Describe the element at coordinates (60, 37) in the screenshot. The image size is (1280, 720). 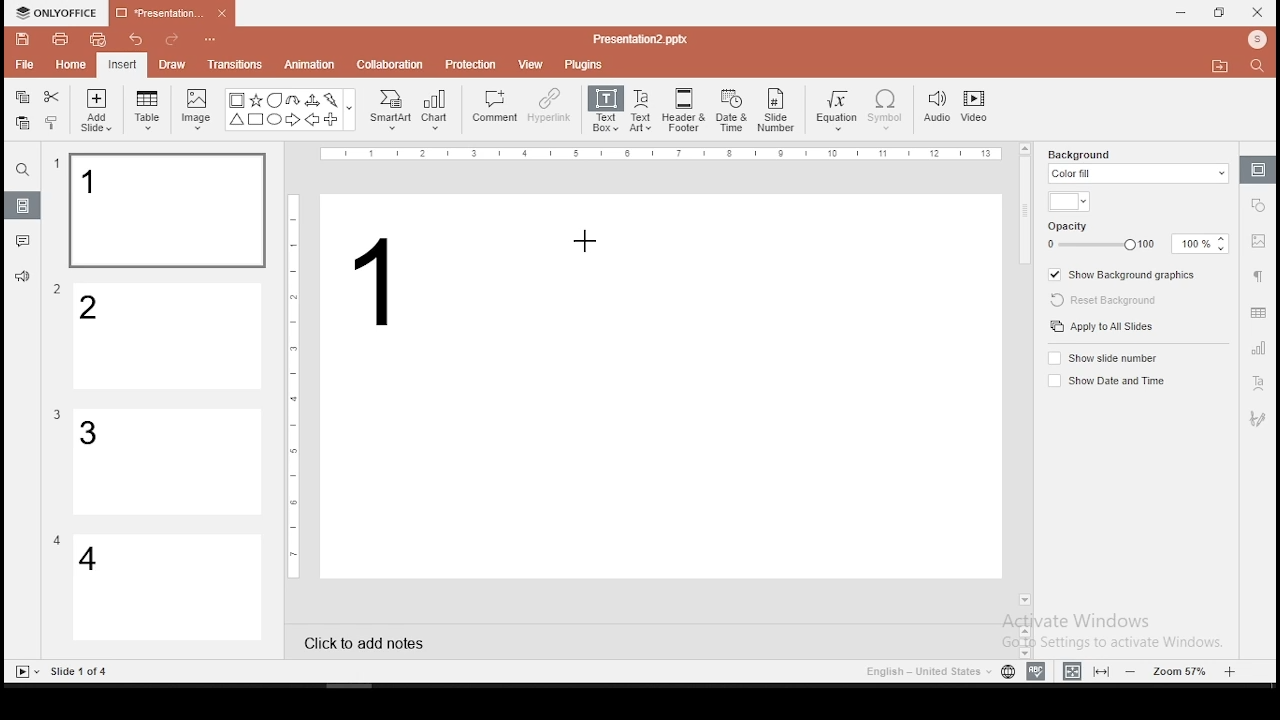
I see `print file` at that location.